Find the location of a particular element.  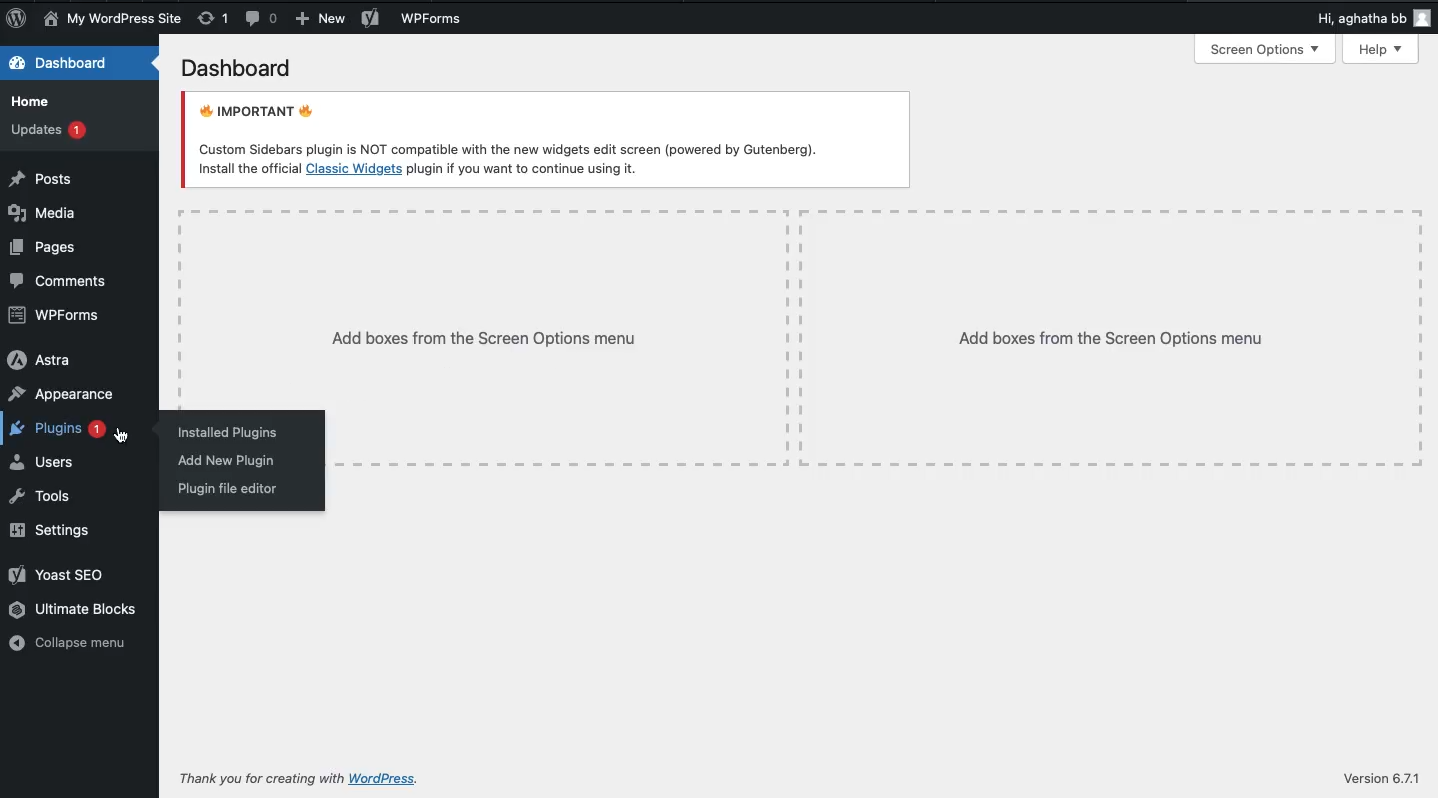

Media is located at coordinates (44, 213).